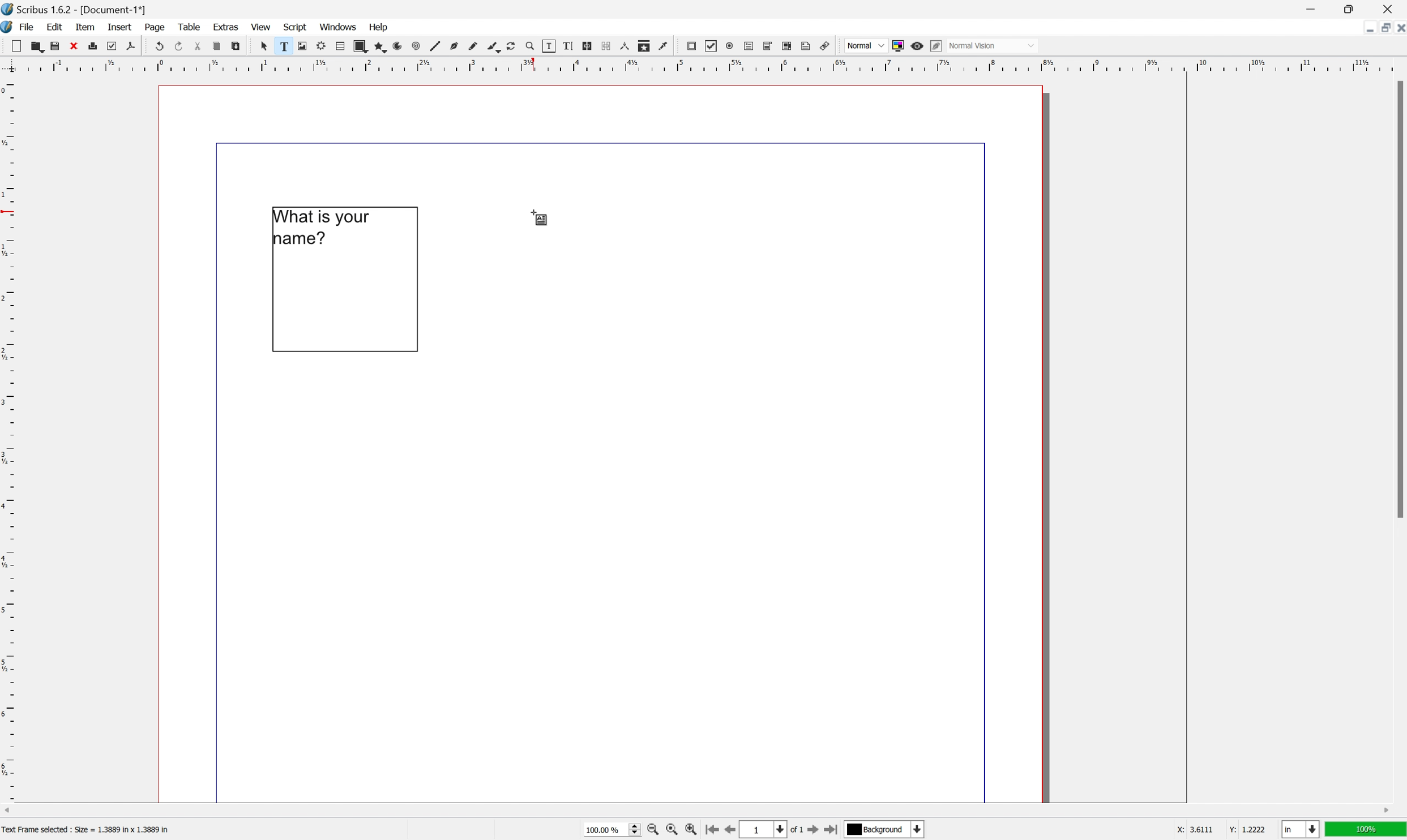 The image size is (1407, 840). Describe the element at coordinates (511, 46) in the screenshot. I see `rotate item` at that location.